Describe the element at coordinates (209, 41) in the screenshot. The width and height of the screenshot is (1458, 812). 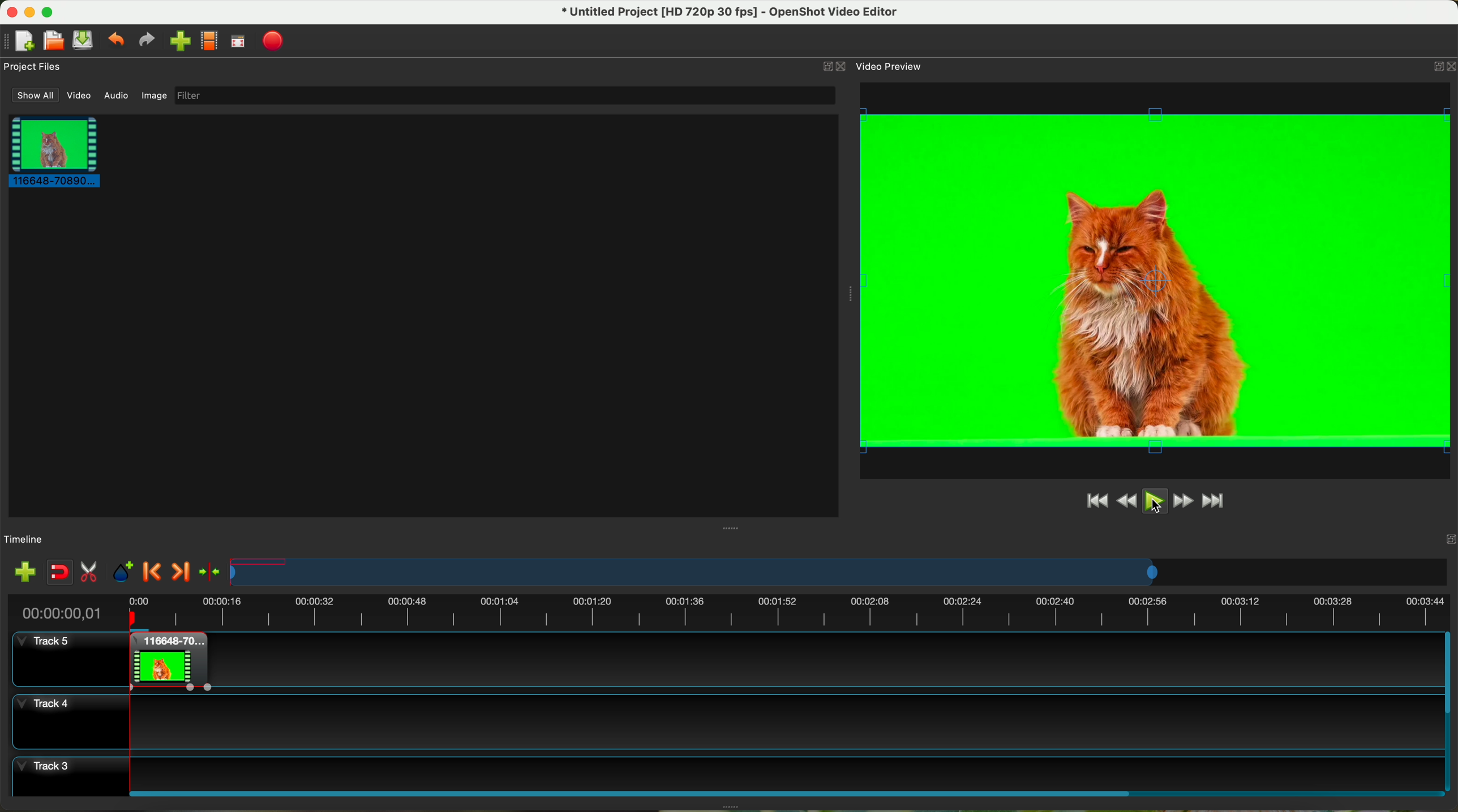
I see `choose profile` at that location.